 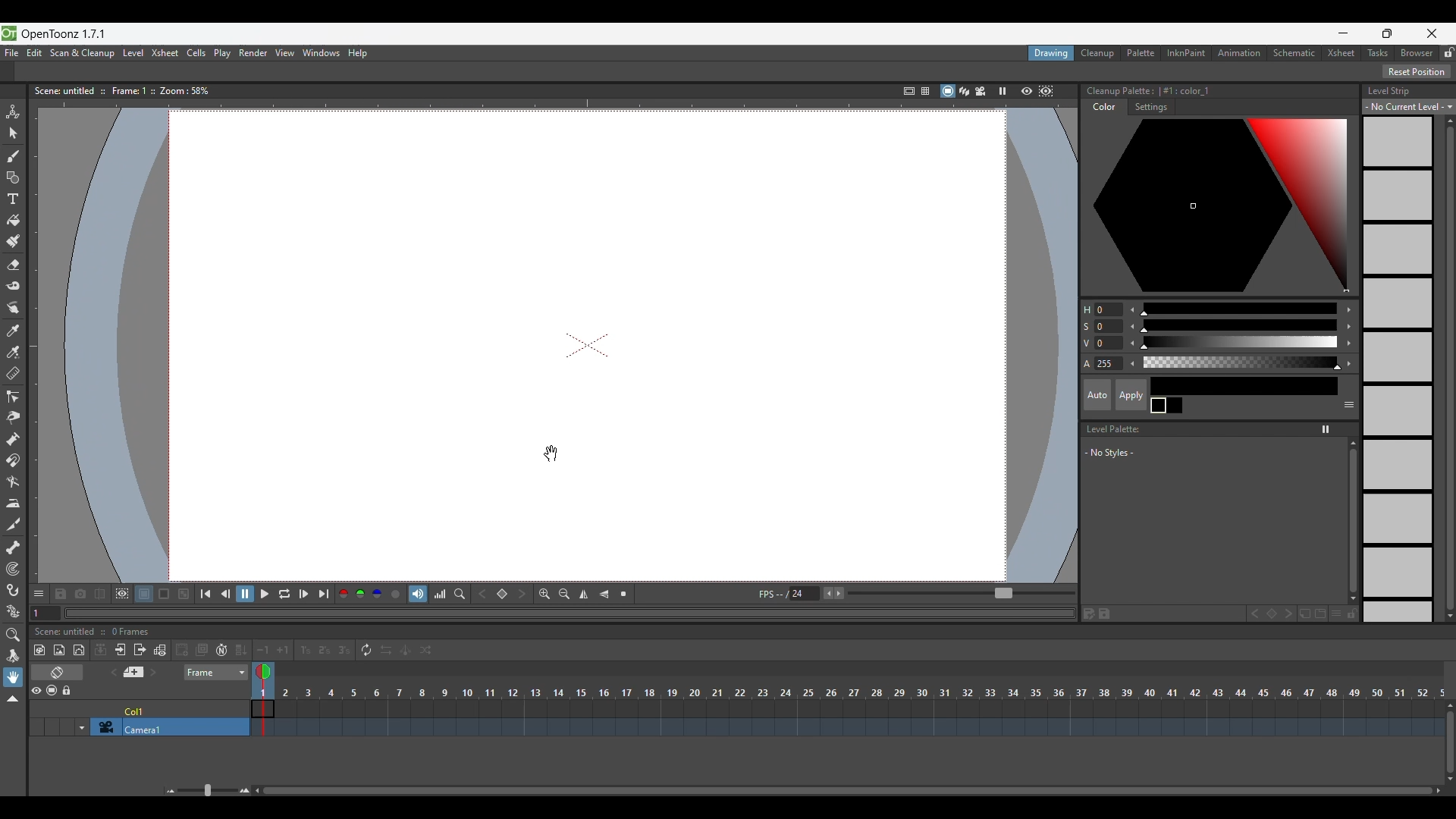 What do you see at coordinates (83, 53) in the screenshot?
I see `Scan and cleanup` at bounding box center [83, 53].